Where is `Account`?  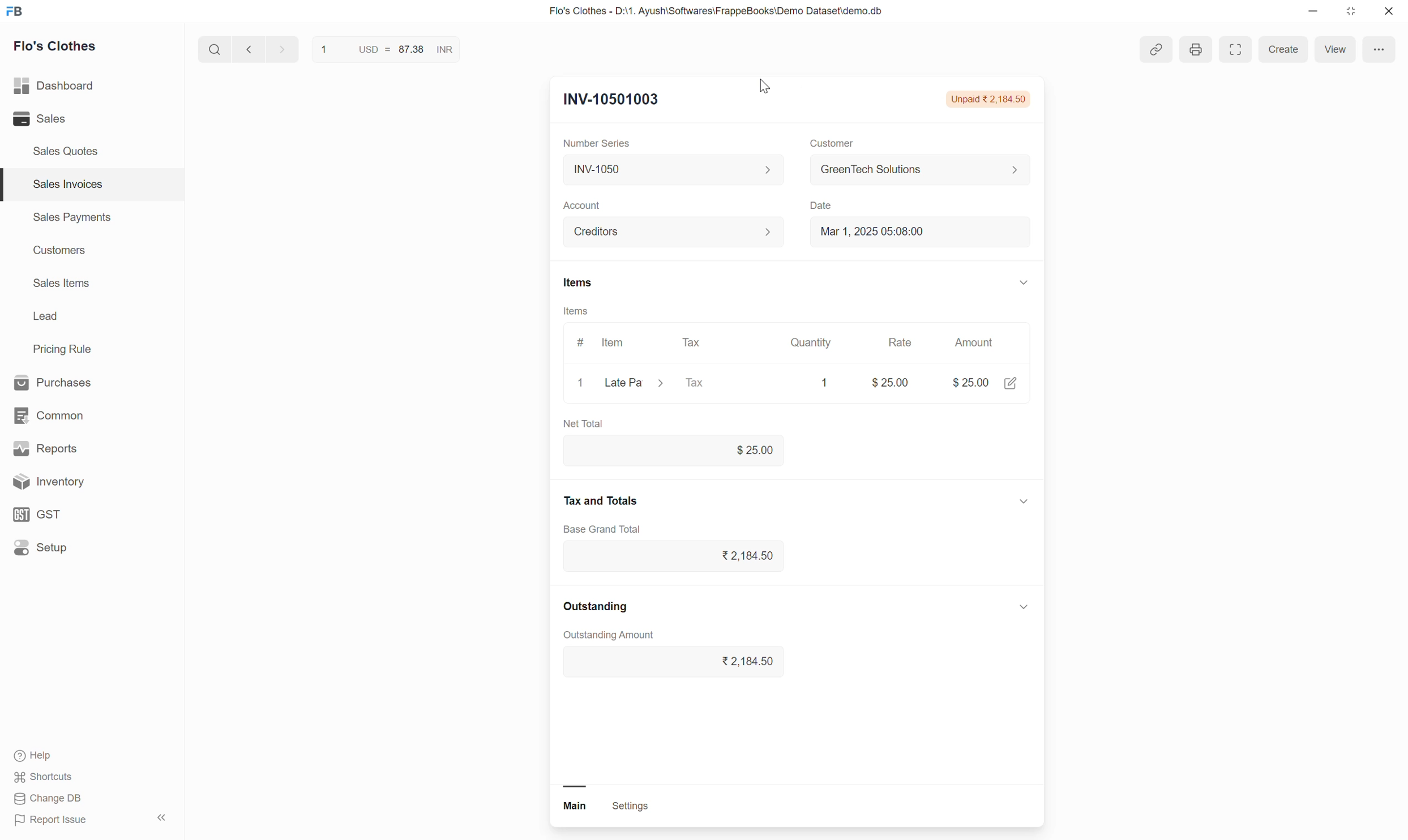 Account is located at coordinates (584, 205).